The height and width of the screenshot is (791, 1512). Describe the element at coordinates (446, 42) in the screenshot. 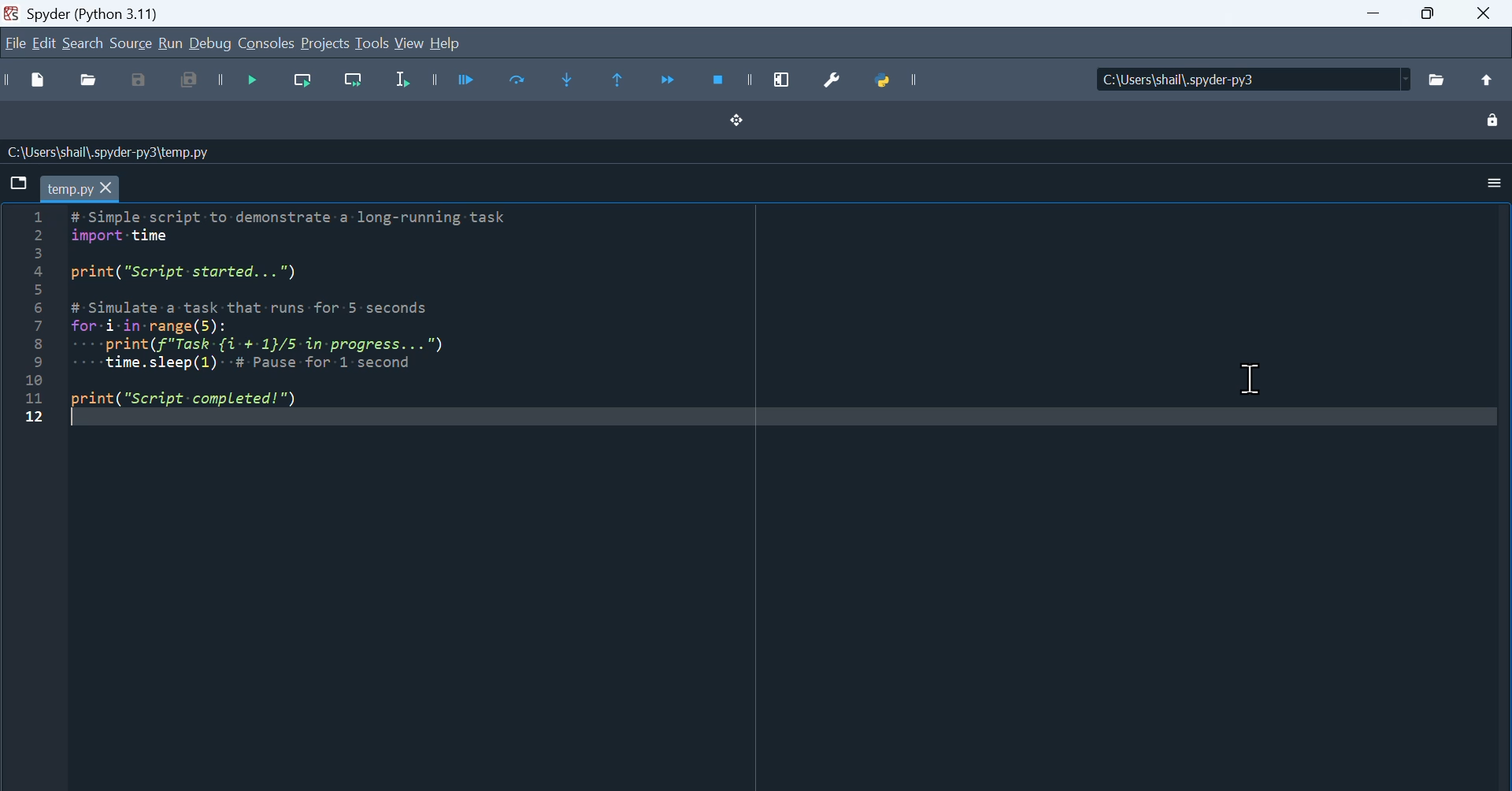

I see `help` at that location.